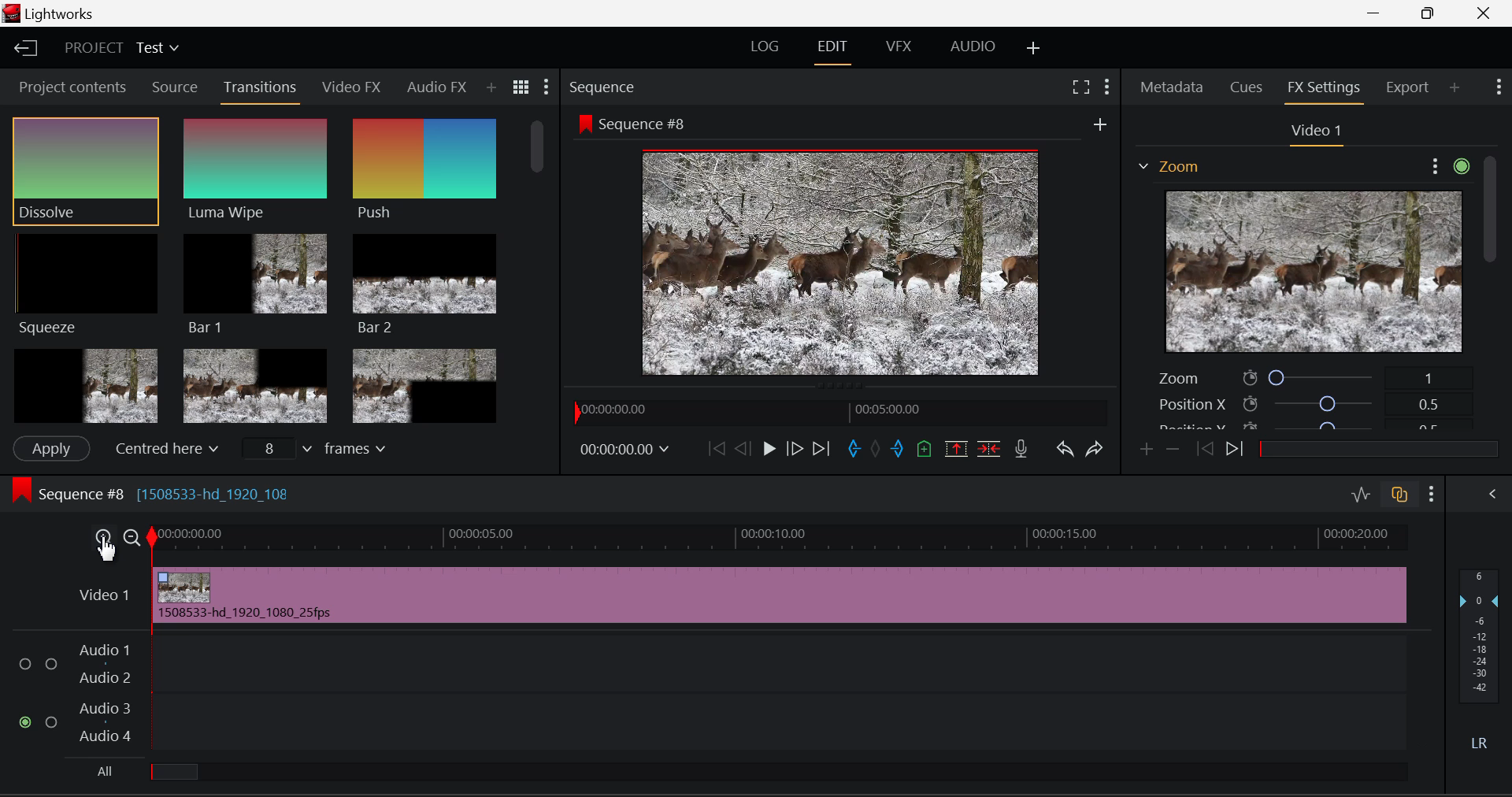 This screenshot has height=797, width=1512. I want to click on Push, so click(426, 172).